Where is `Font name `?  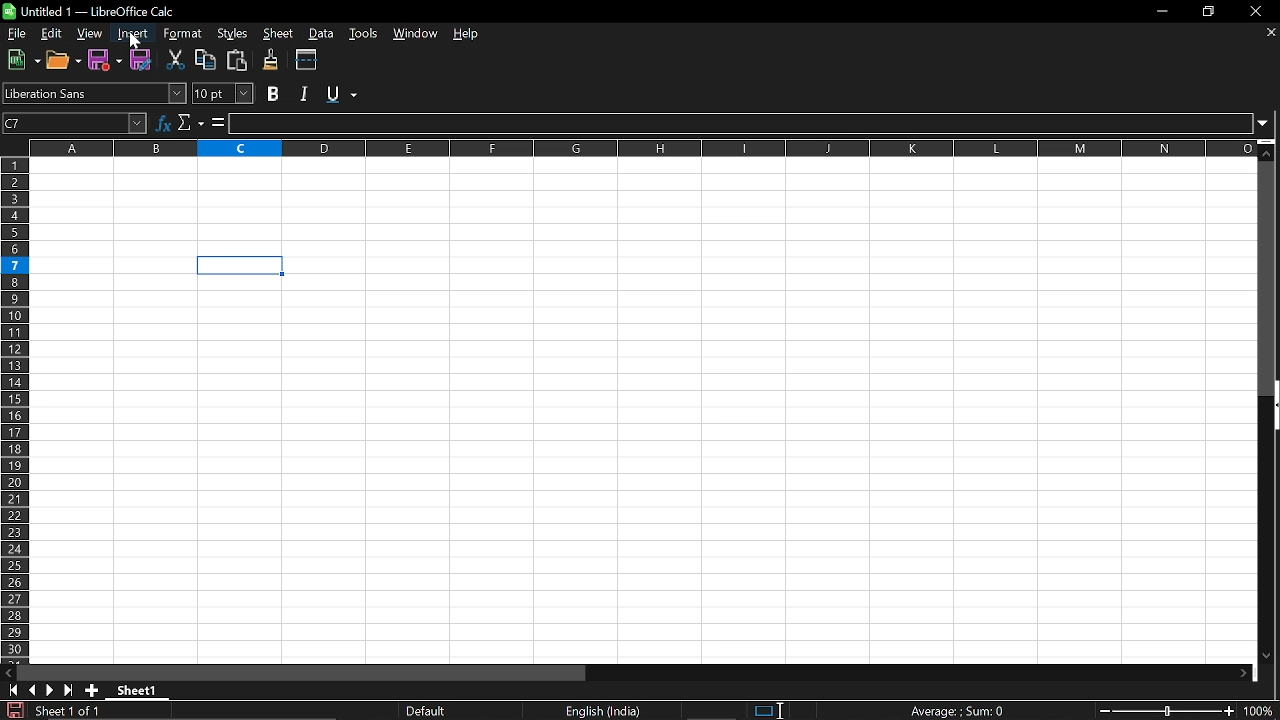
Font name  is located at coordinates (94, 93).